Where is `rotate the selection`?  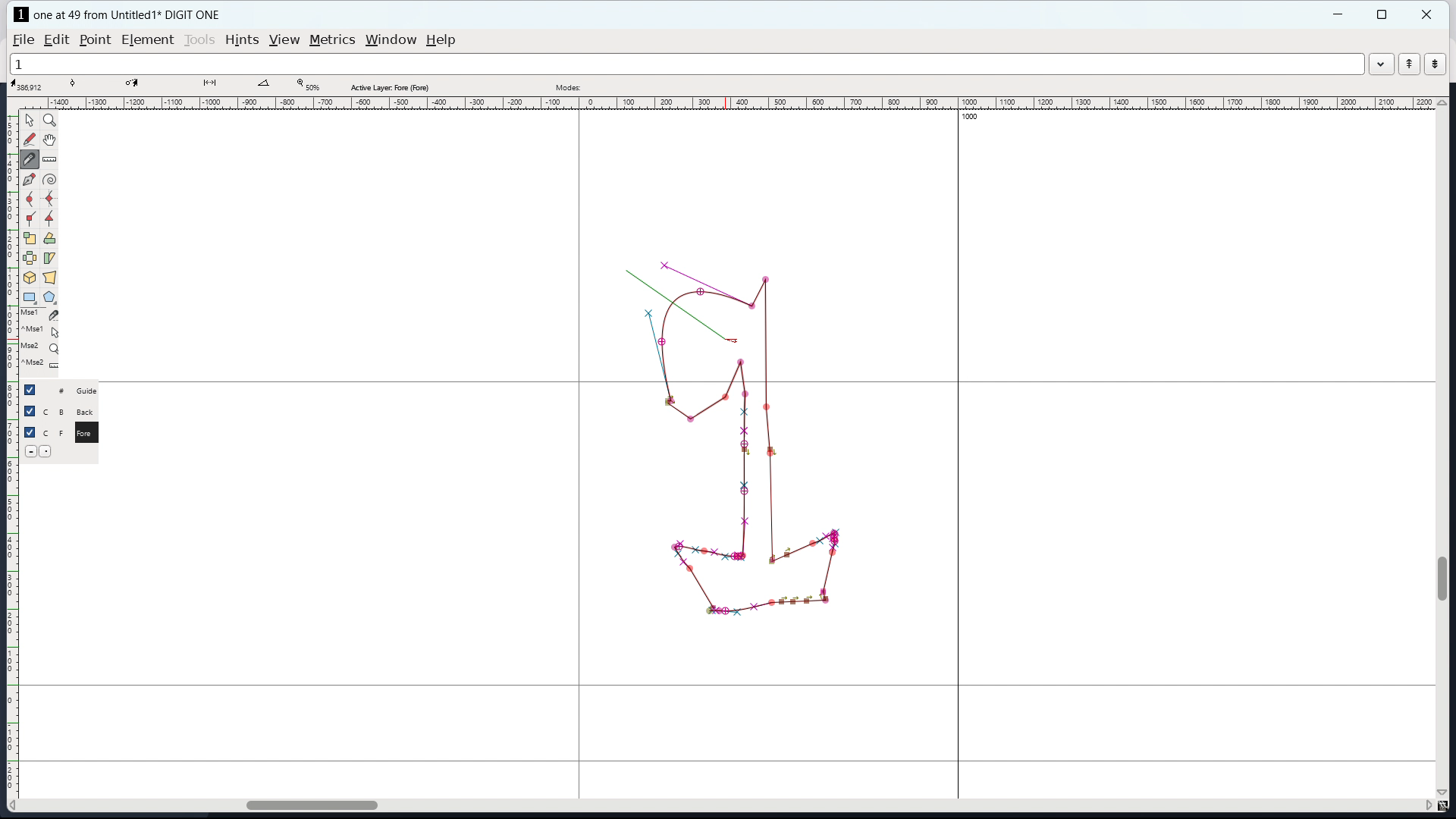
rotate the selection is located at coordinates (49, 239).